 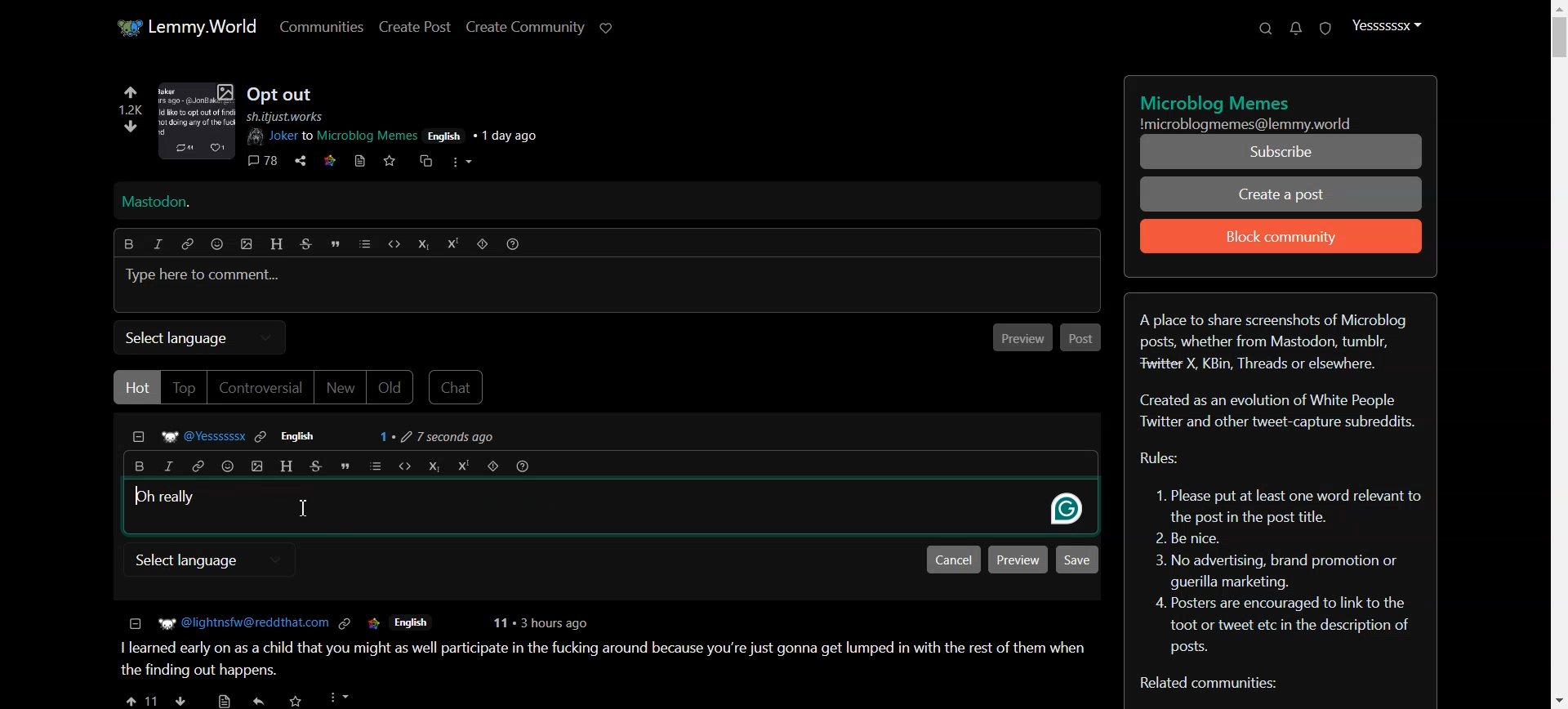 I want to click on insert picture, so click(x=254, y=466).